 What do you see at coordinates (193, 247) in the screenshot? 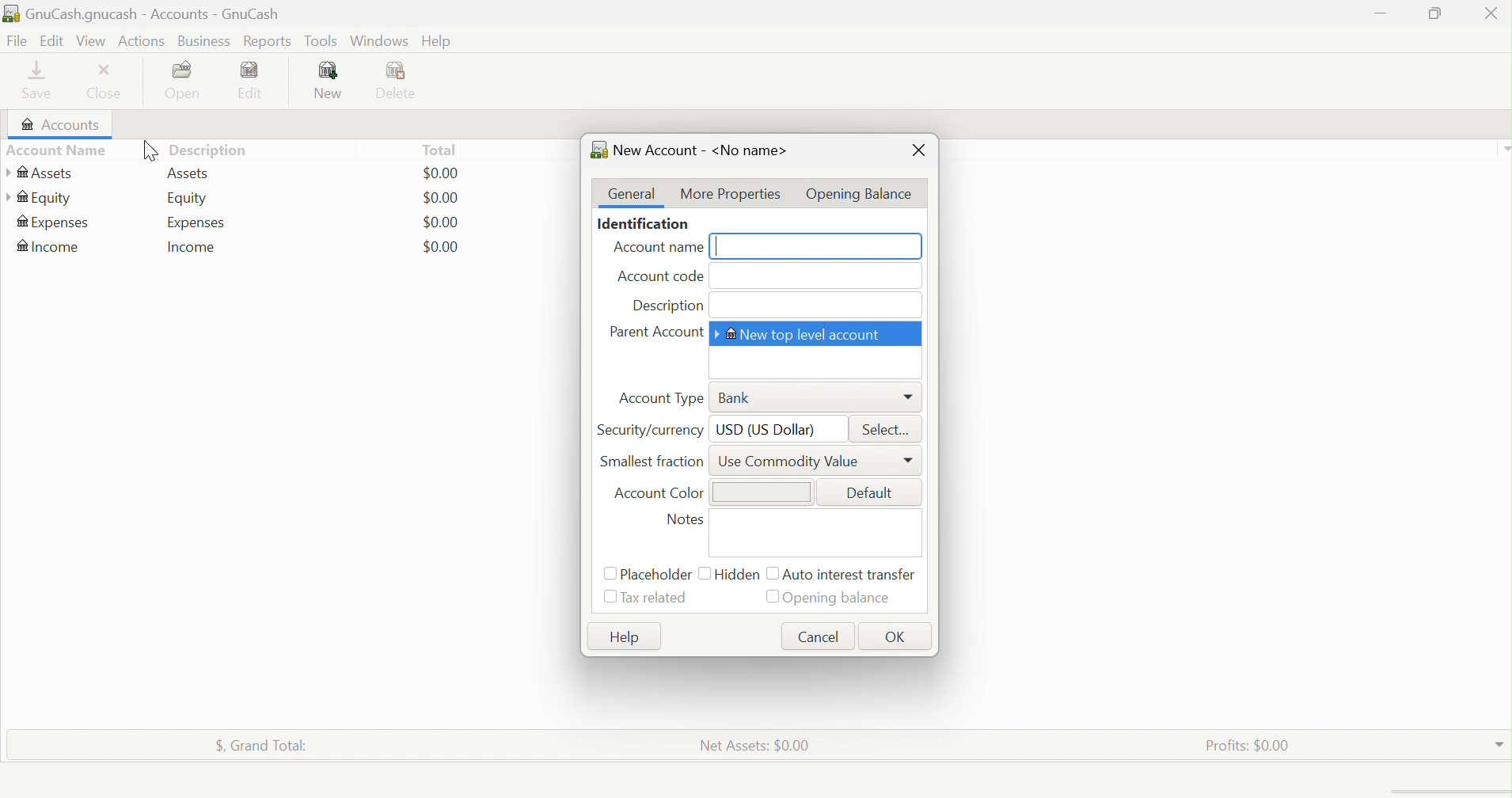
I see `Income` at bounding box center [193, 247].